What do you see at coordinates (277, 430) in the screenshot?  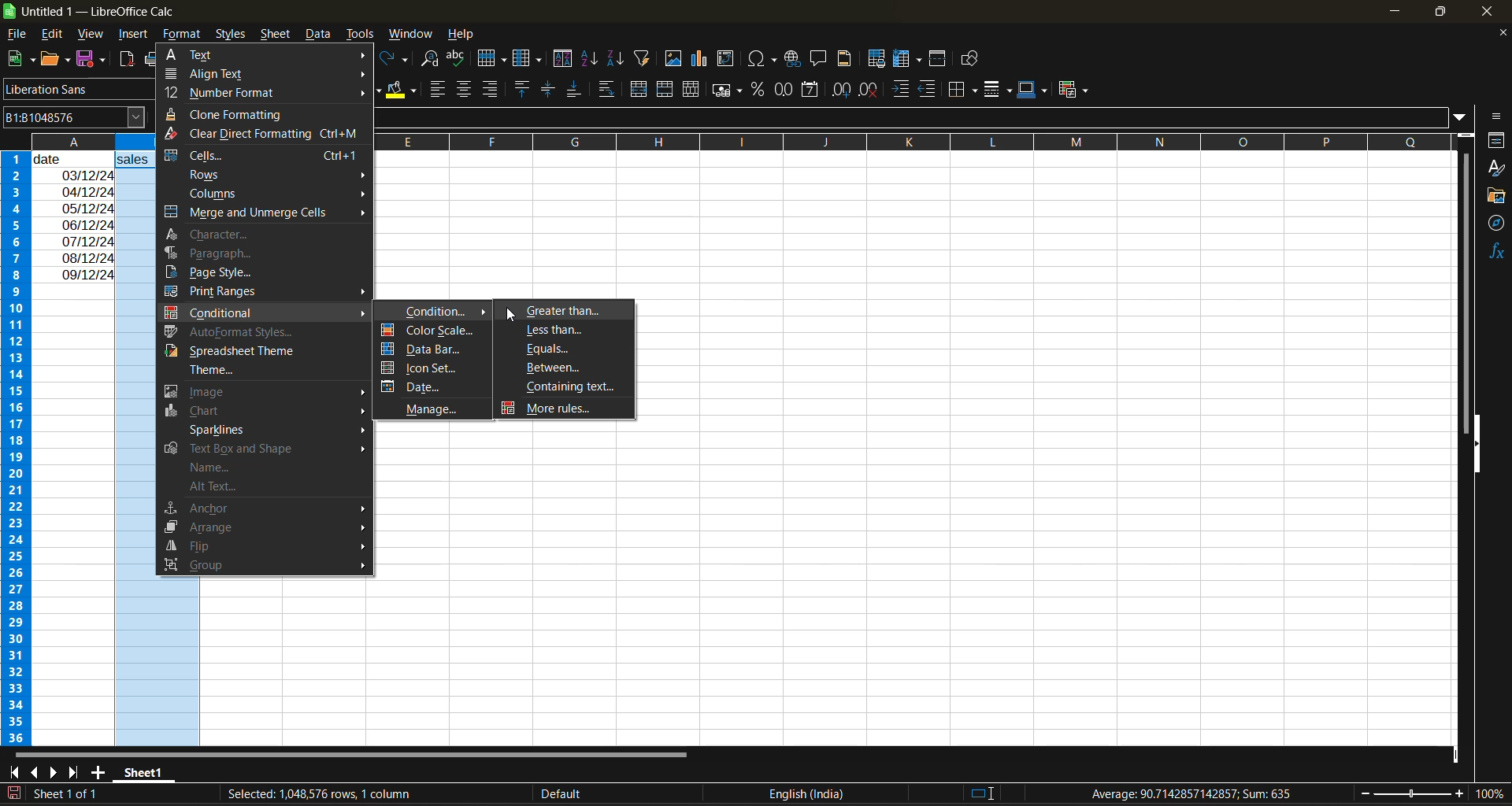 I see `sparklines` at bounding box center [277, 430].